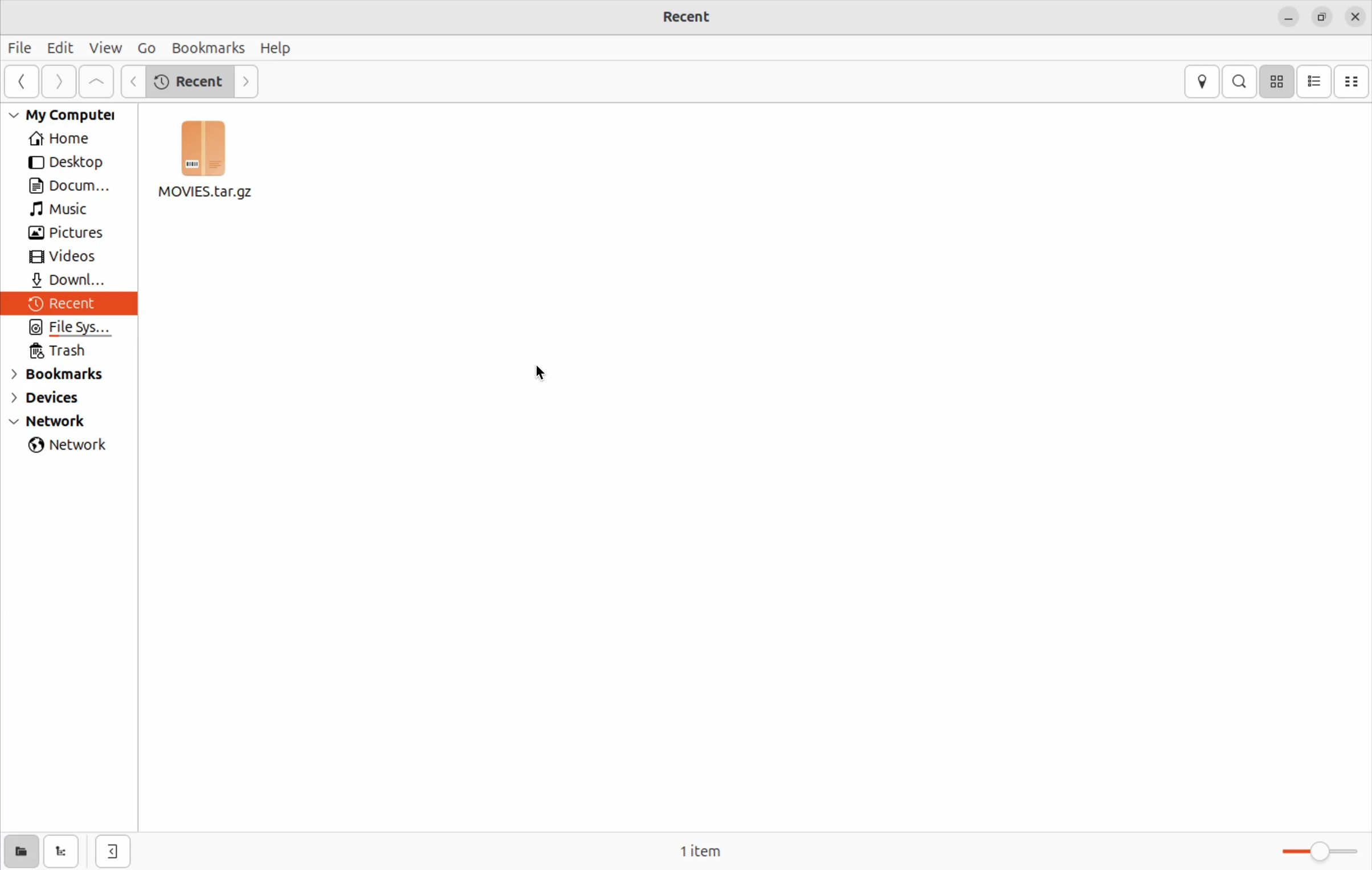 This screenshot has width=1372, height=870. I want to click on side bar, so click(23, 80).